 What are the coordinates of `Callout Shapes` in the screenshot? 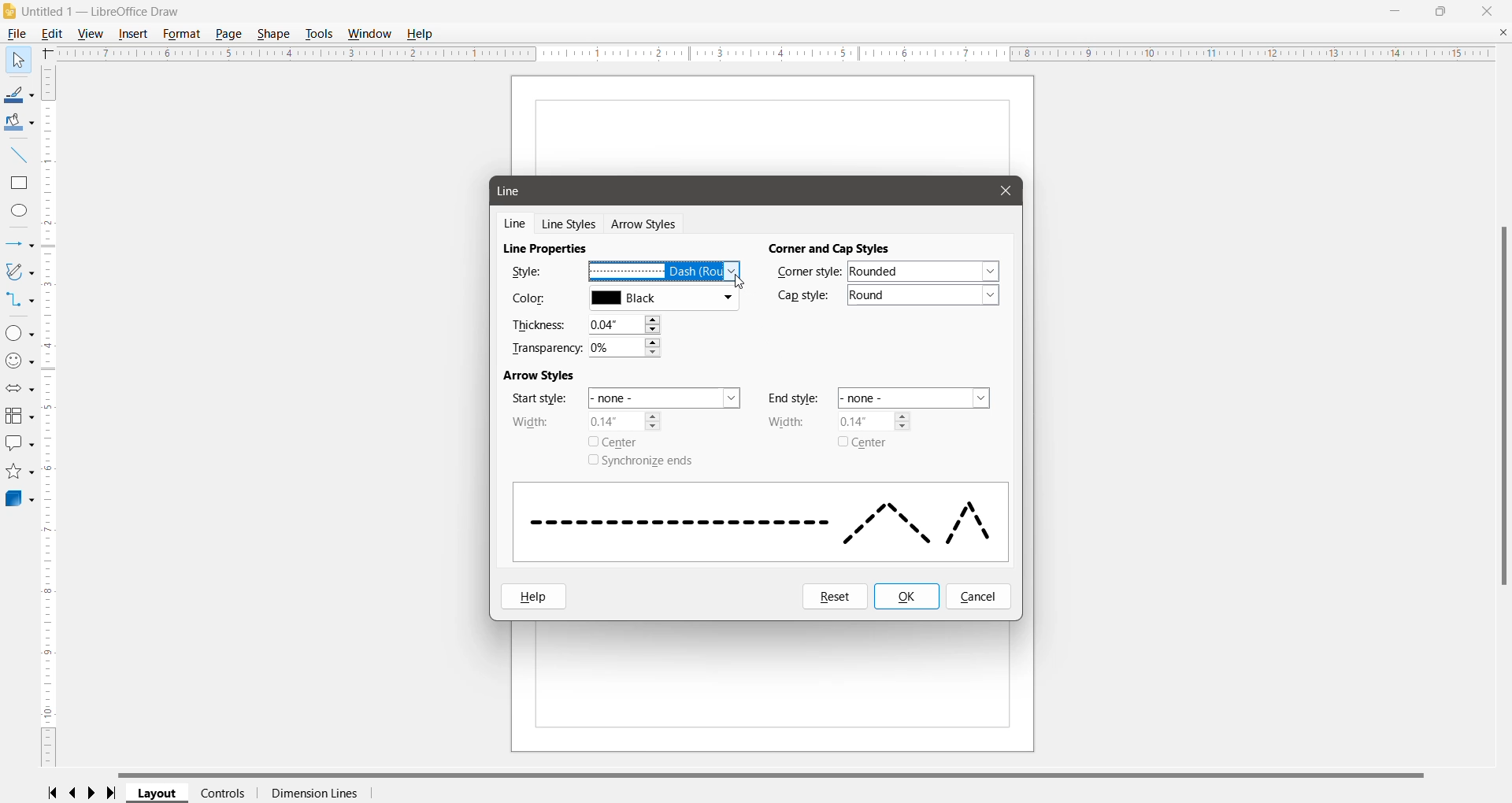 It's located at (20, 443).